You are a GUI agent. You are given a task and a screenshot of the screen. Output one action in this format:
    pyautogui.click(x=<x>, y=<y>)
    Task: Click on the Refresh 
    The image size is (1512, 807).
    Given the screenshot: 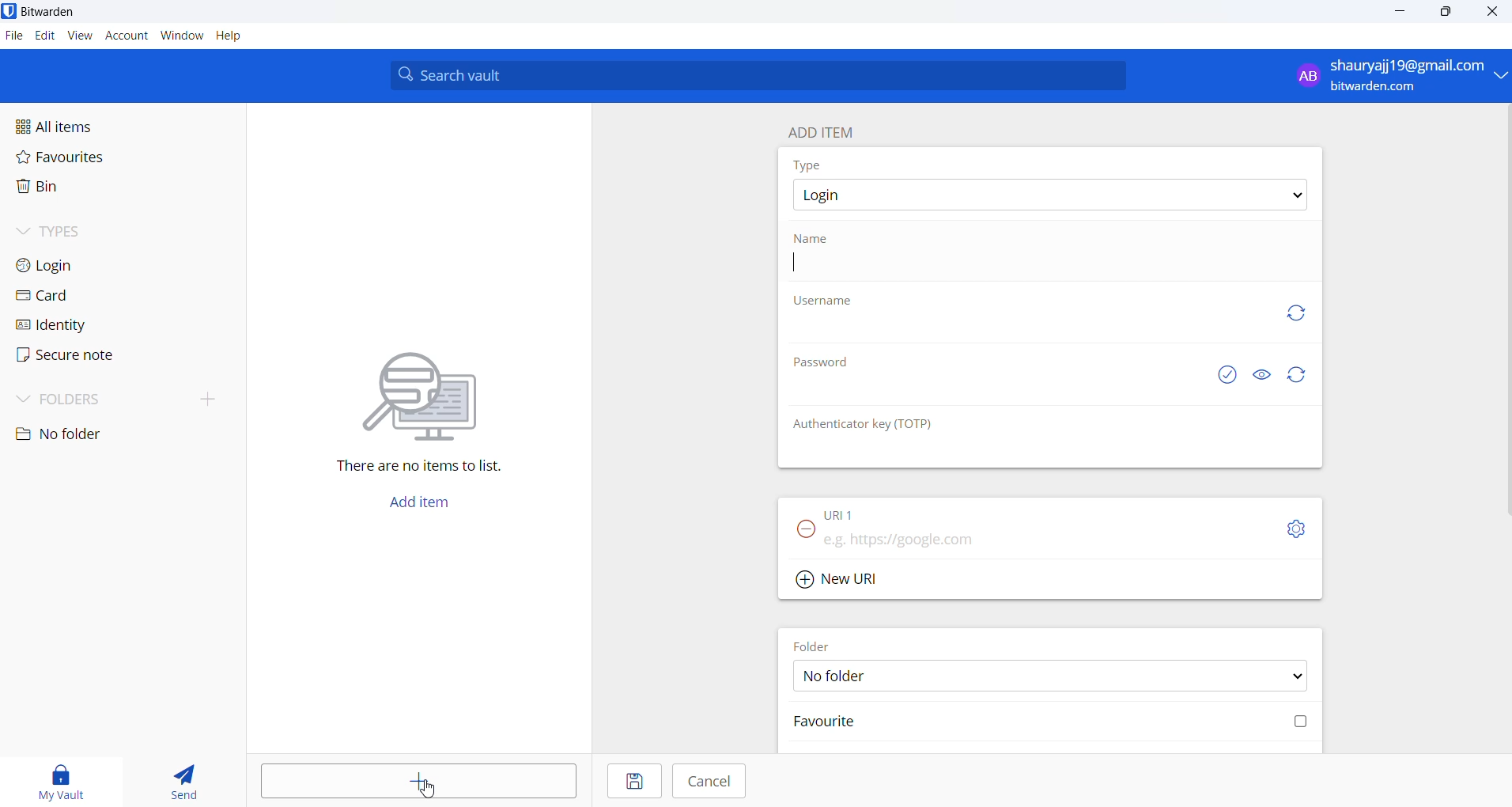 What is the action you would take?
    pyautogui.click(x=1304, y=316)
    